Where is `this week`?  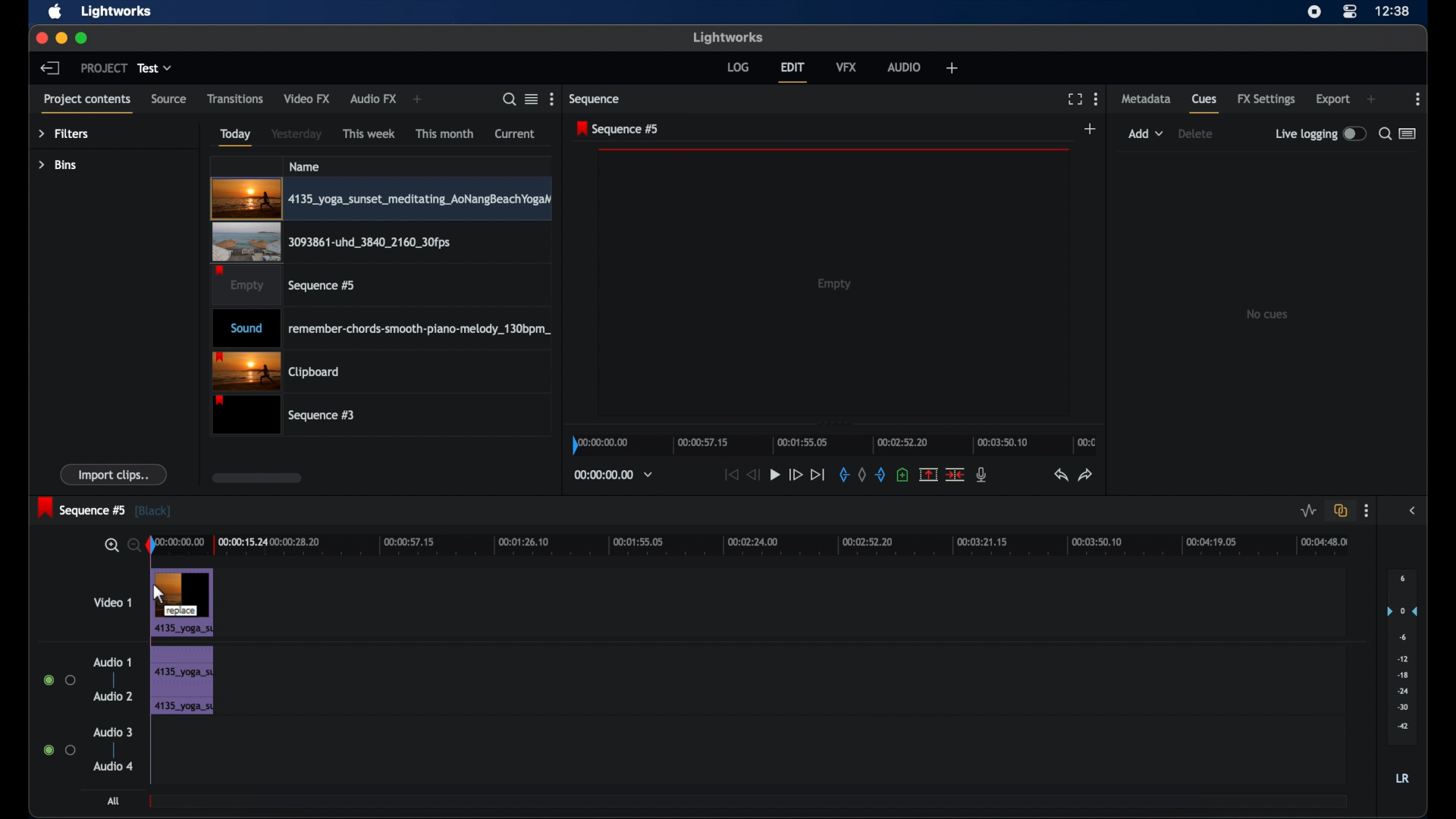 this week is located at coordinates (369, 133).